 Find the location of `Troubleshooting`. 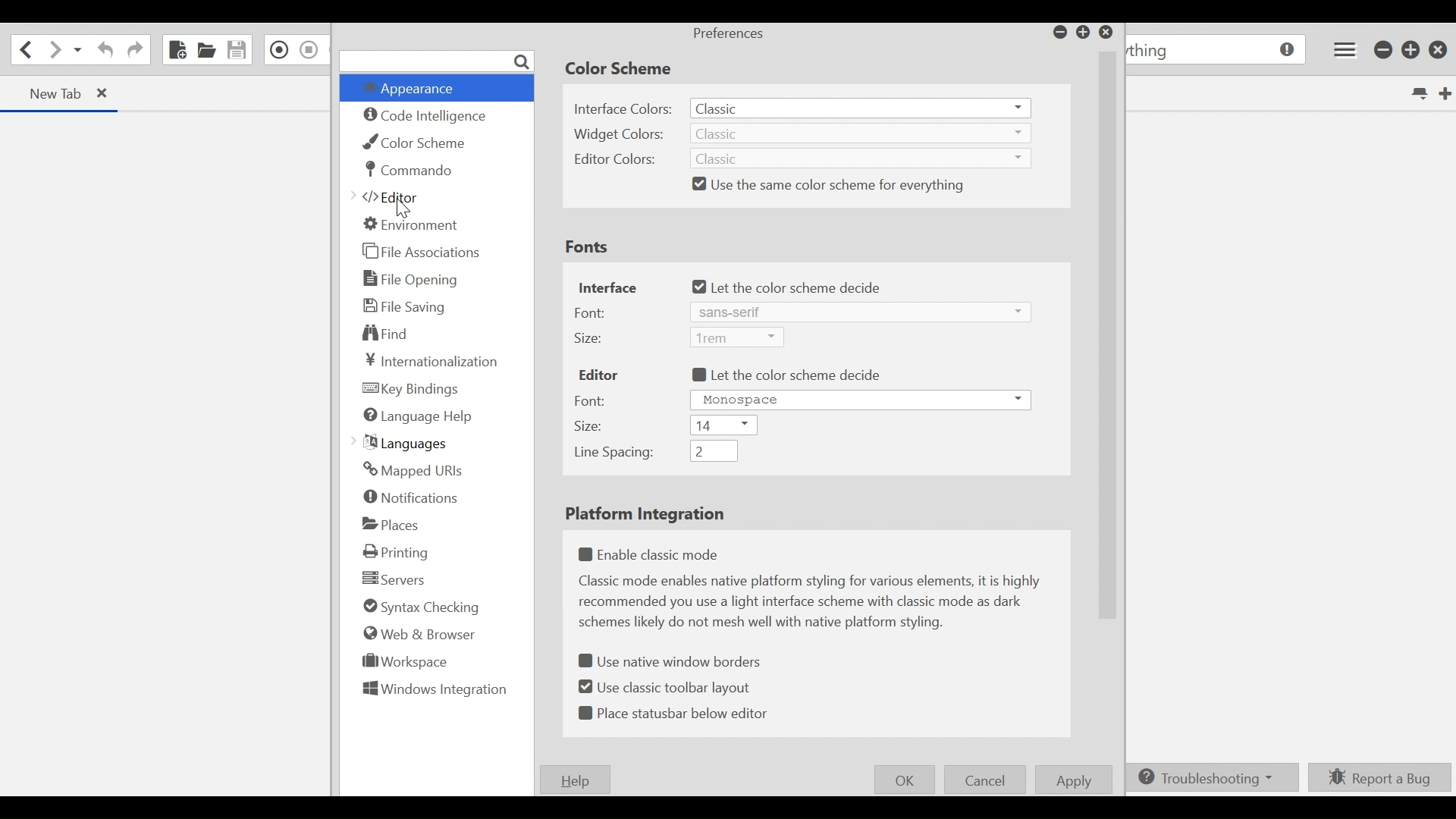

Troubleshooting is located at coordinates (1210, 779).